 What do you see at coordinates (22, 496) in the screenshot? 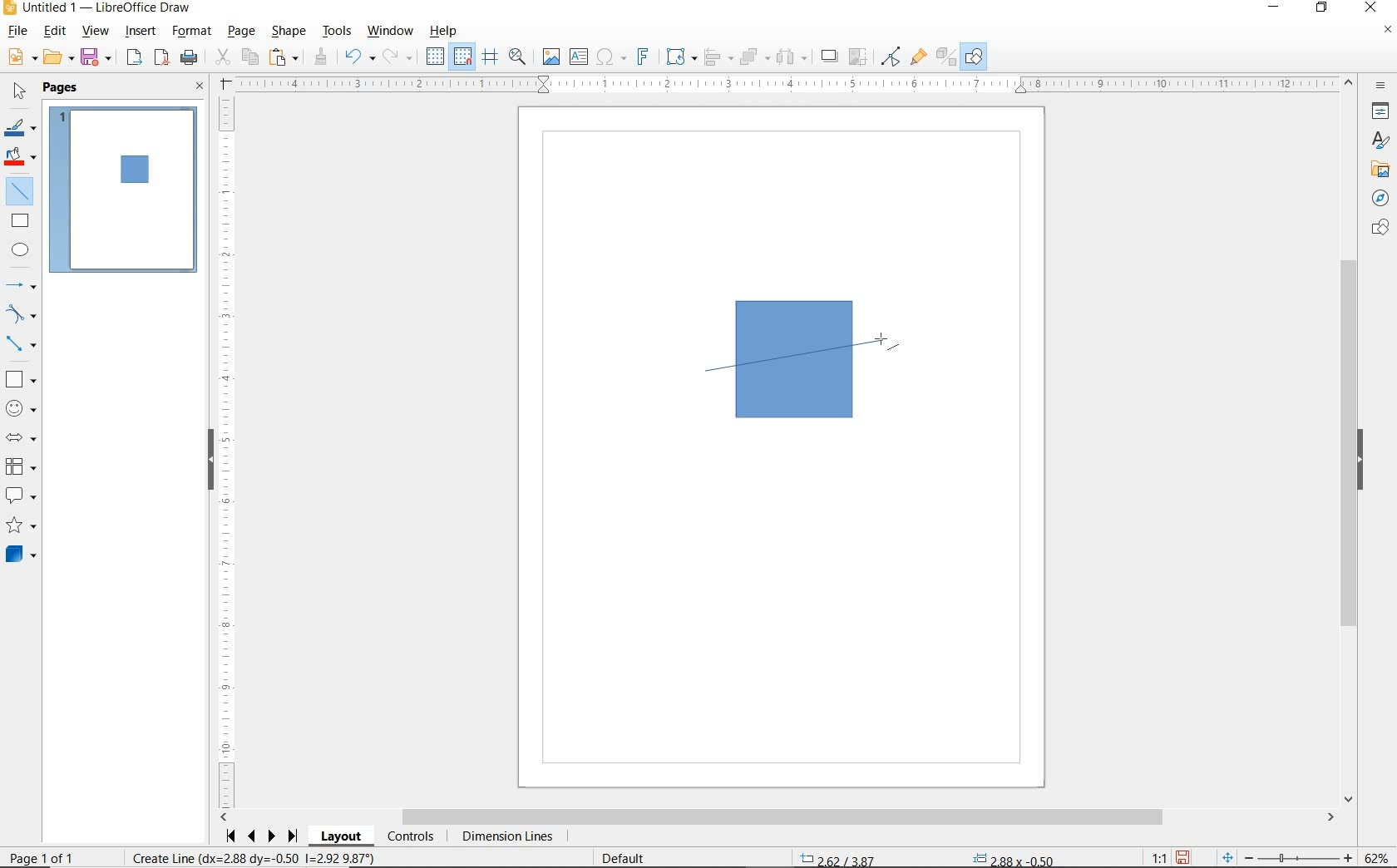
I see `CALLOUT SHAPES` at bounding box center [22, 496].